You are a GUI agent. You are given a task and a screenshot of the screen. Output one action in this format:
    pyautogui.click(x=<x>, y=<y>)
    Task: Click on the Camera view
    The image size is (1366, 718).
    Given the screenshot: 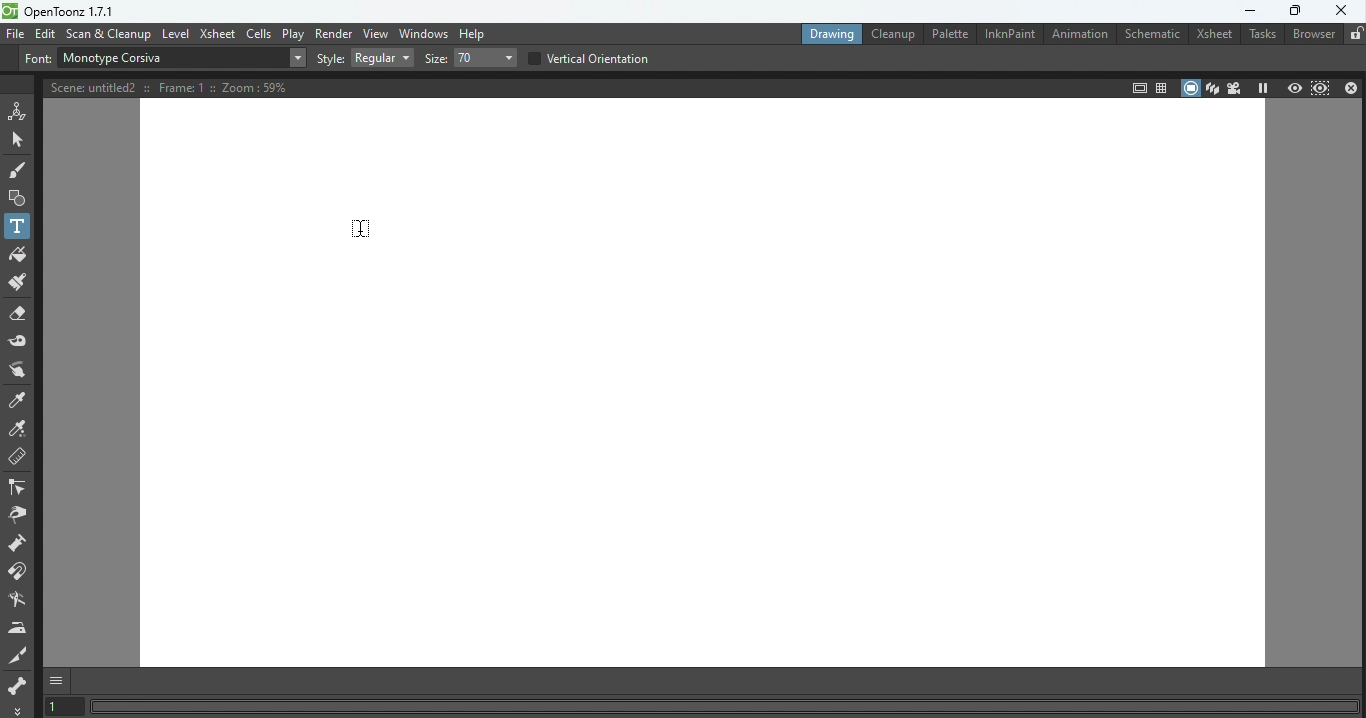 What is the action you would take?
    pyautogui.click(x=1234, y=87)
    